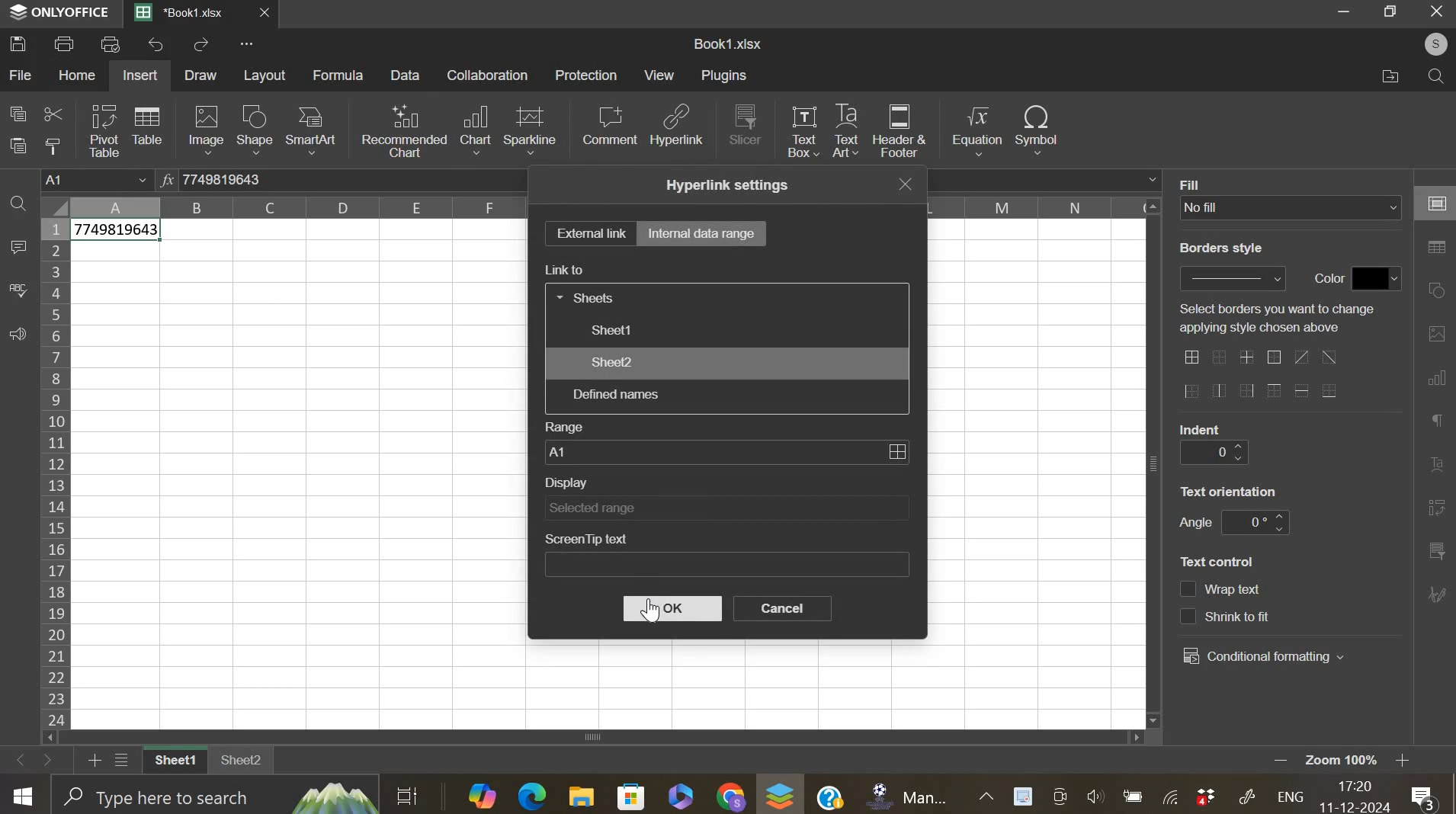 Image resolution: width=1456 pixels, height=814 pixels. Describe the element at coordinates (146, 124) in the screenshot. I see `table` at that location.